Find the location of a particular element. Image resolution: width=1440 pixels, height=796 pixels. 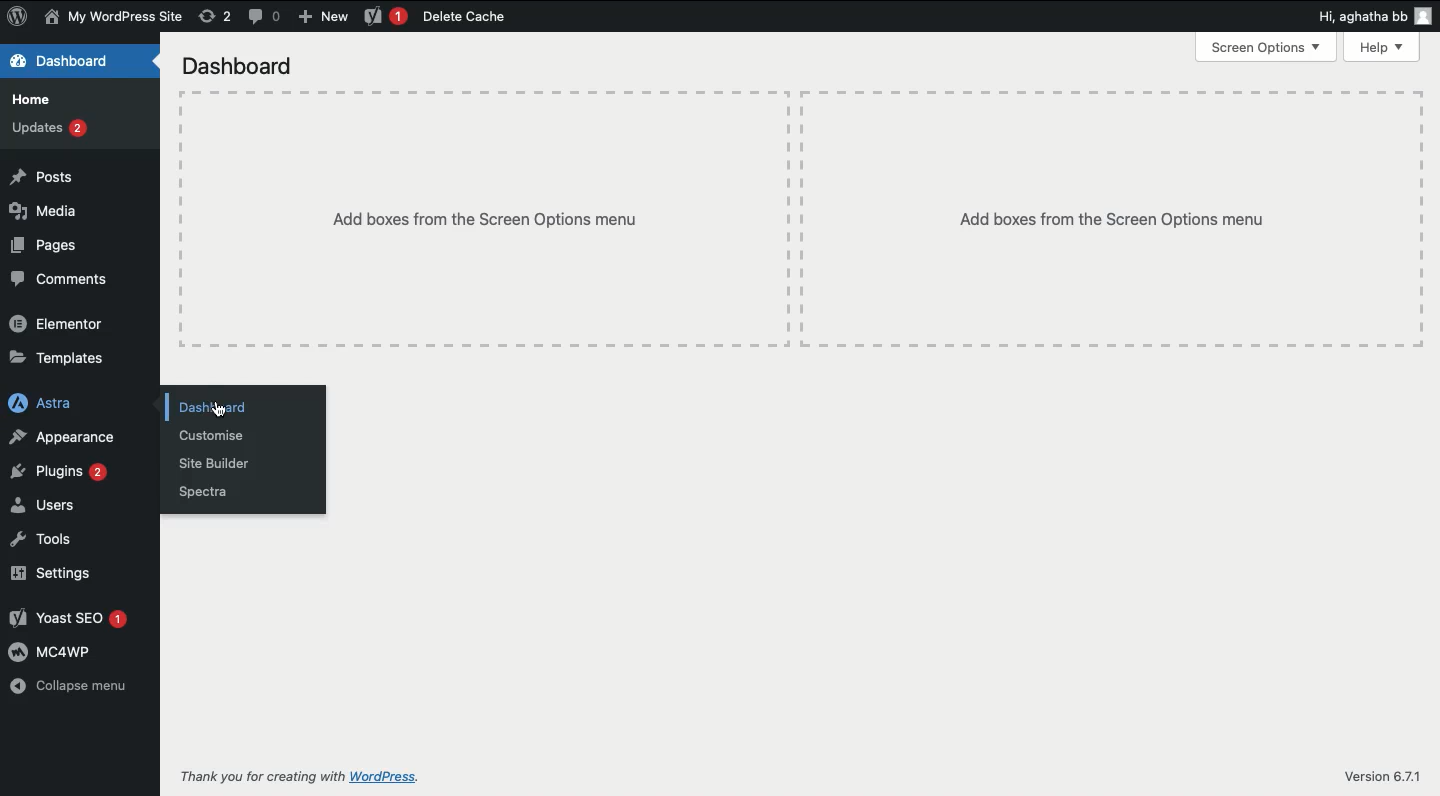

Dashboard is located at coordinates (62, 61).